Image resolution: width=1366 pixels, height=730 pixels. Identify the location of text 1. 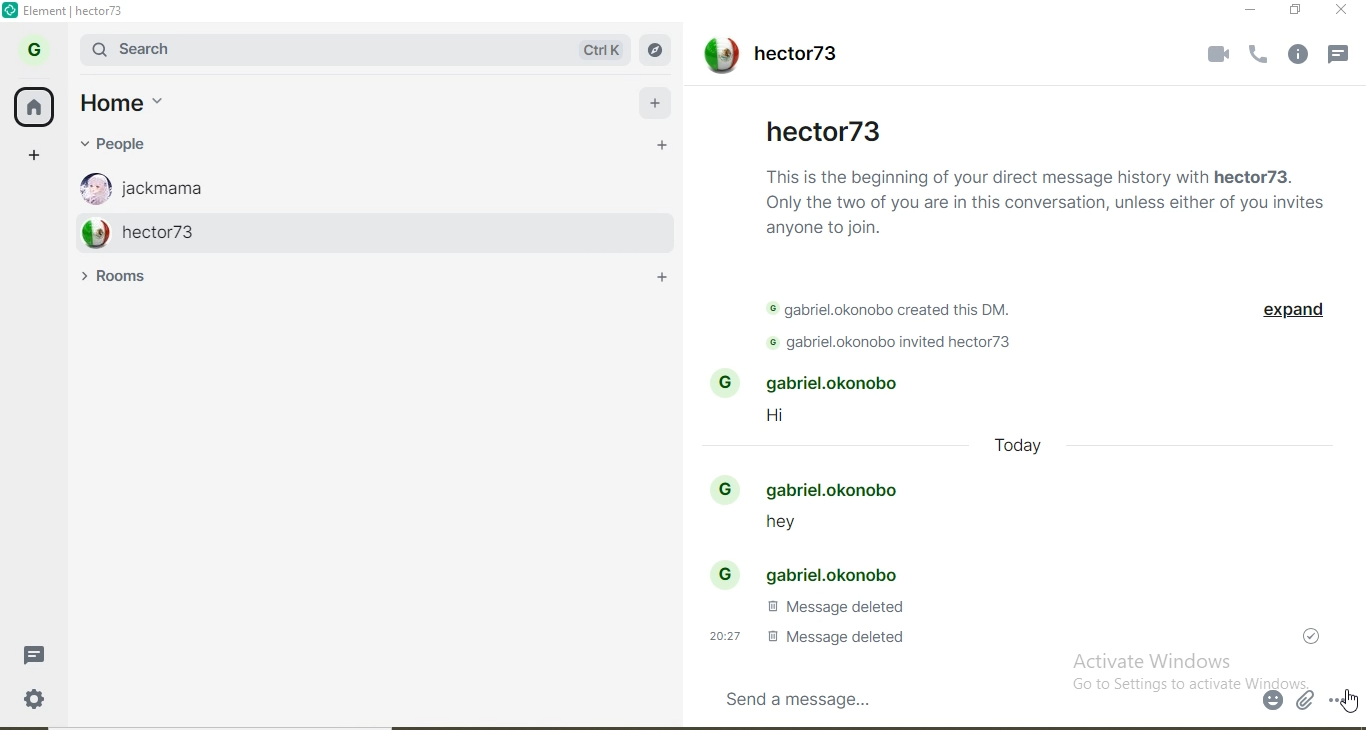
(1046, 199).